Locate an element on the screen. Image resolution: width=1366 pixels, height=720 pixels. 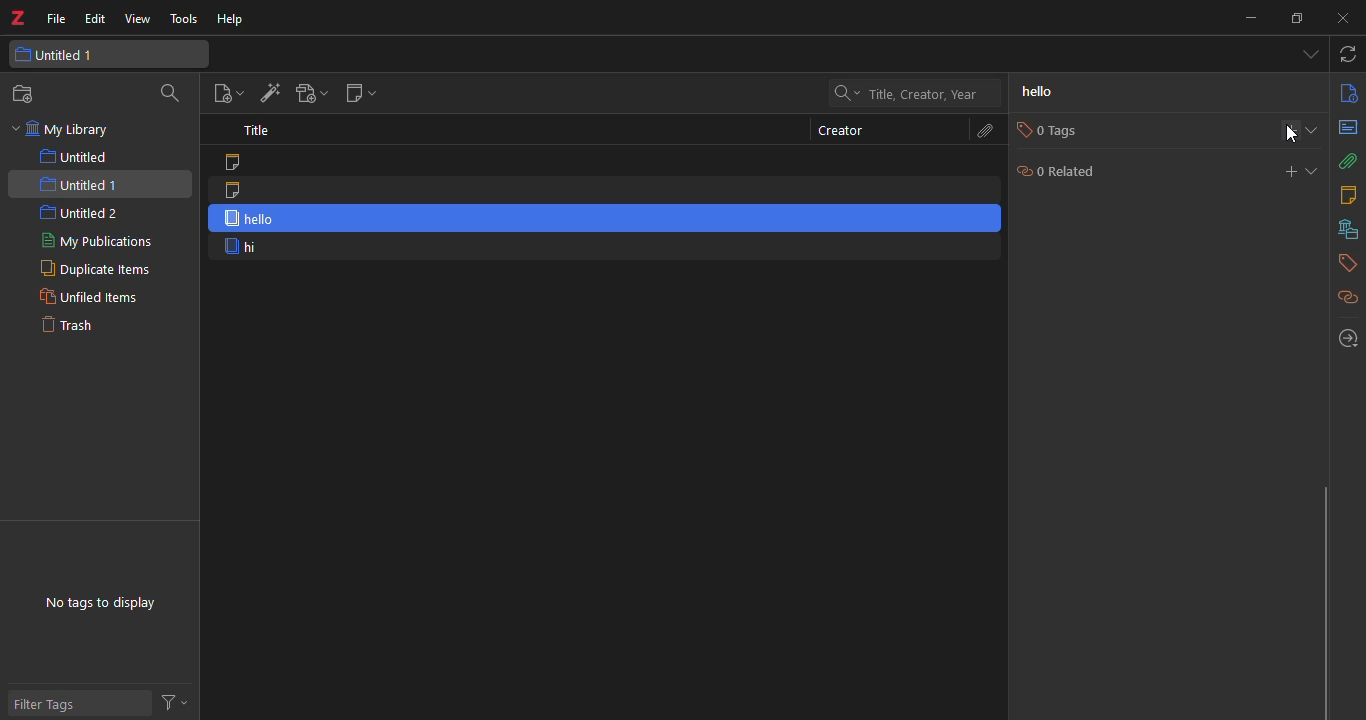
note is located at coordinates (241, 163).